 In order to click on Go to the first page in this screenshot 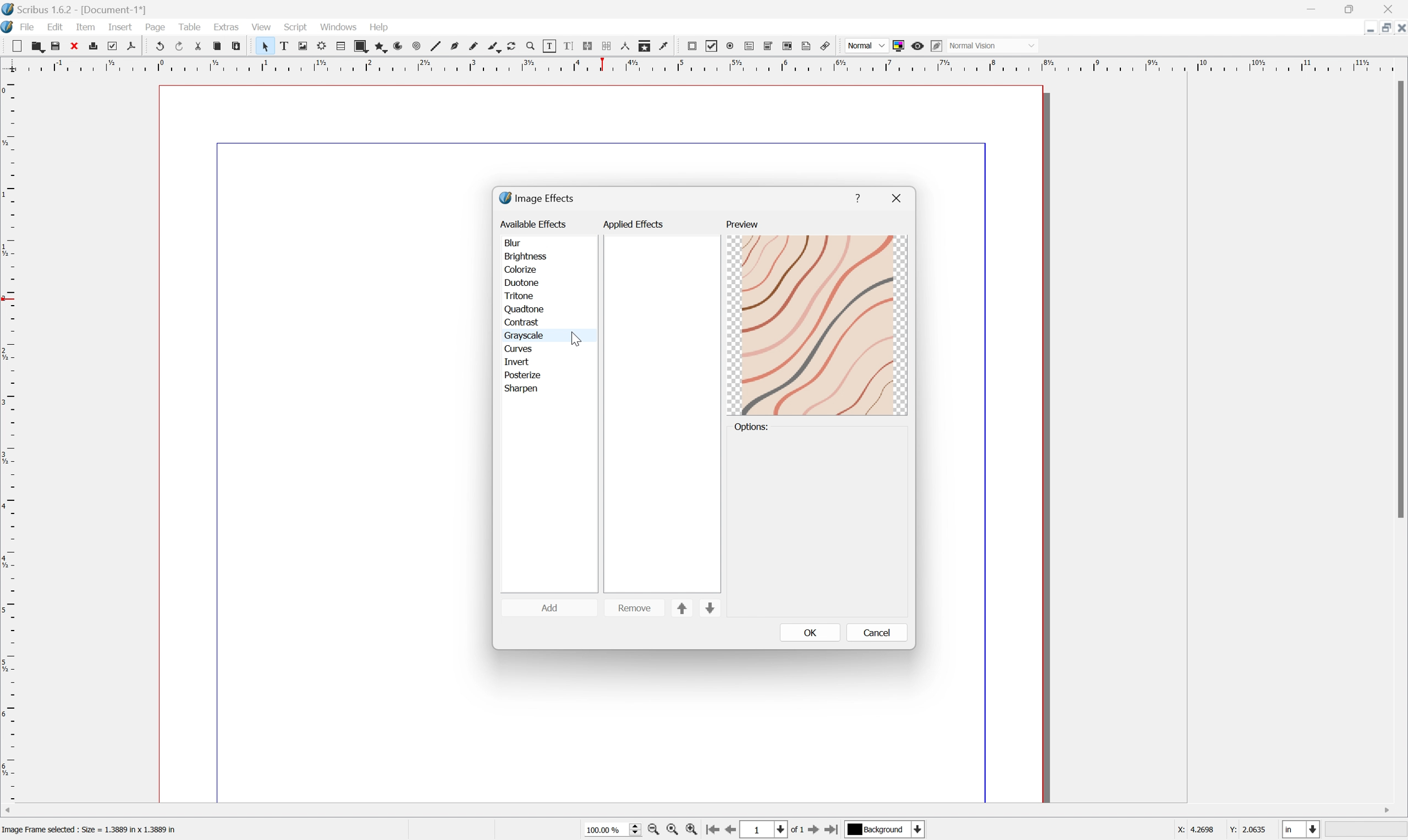, I will do `click(714, 831)`.